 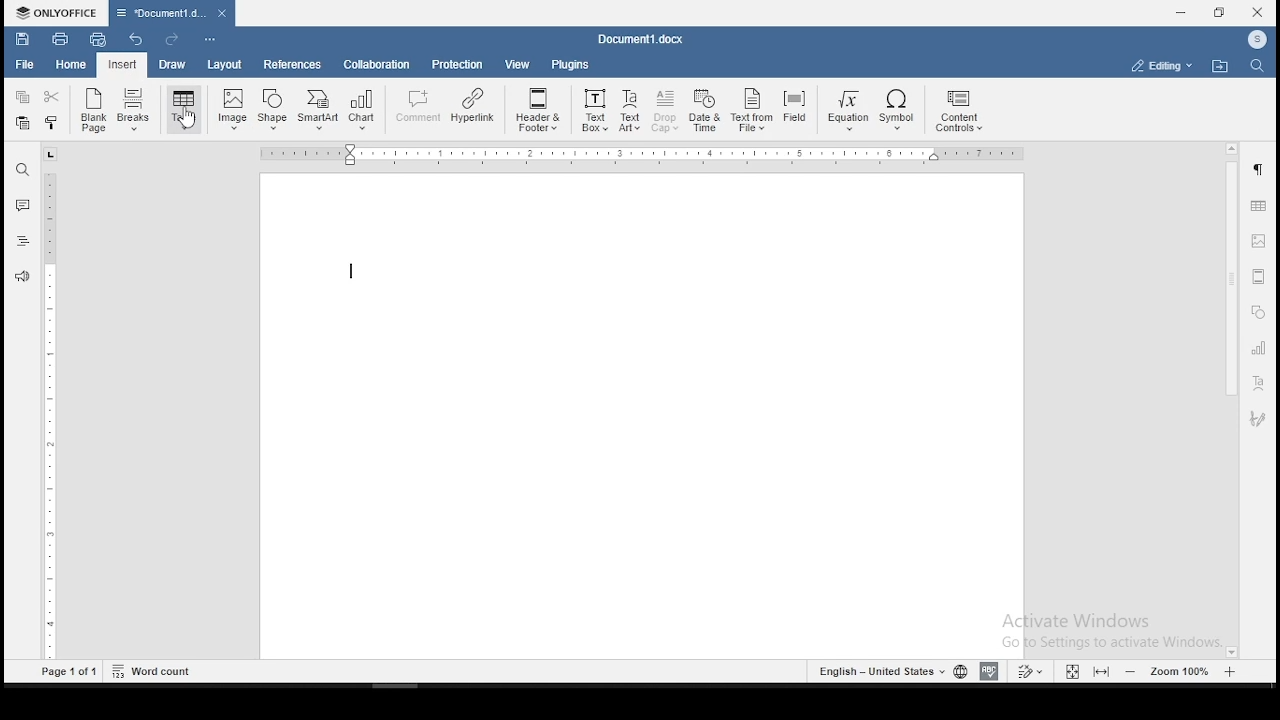 I want to click on layout, so click(x=223, y=65).